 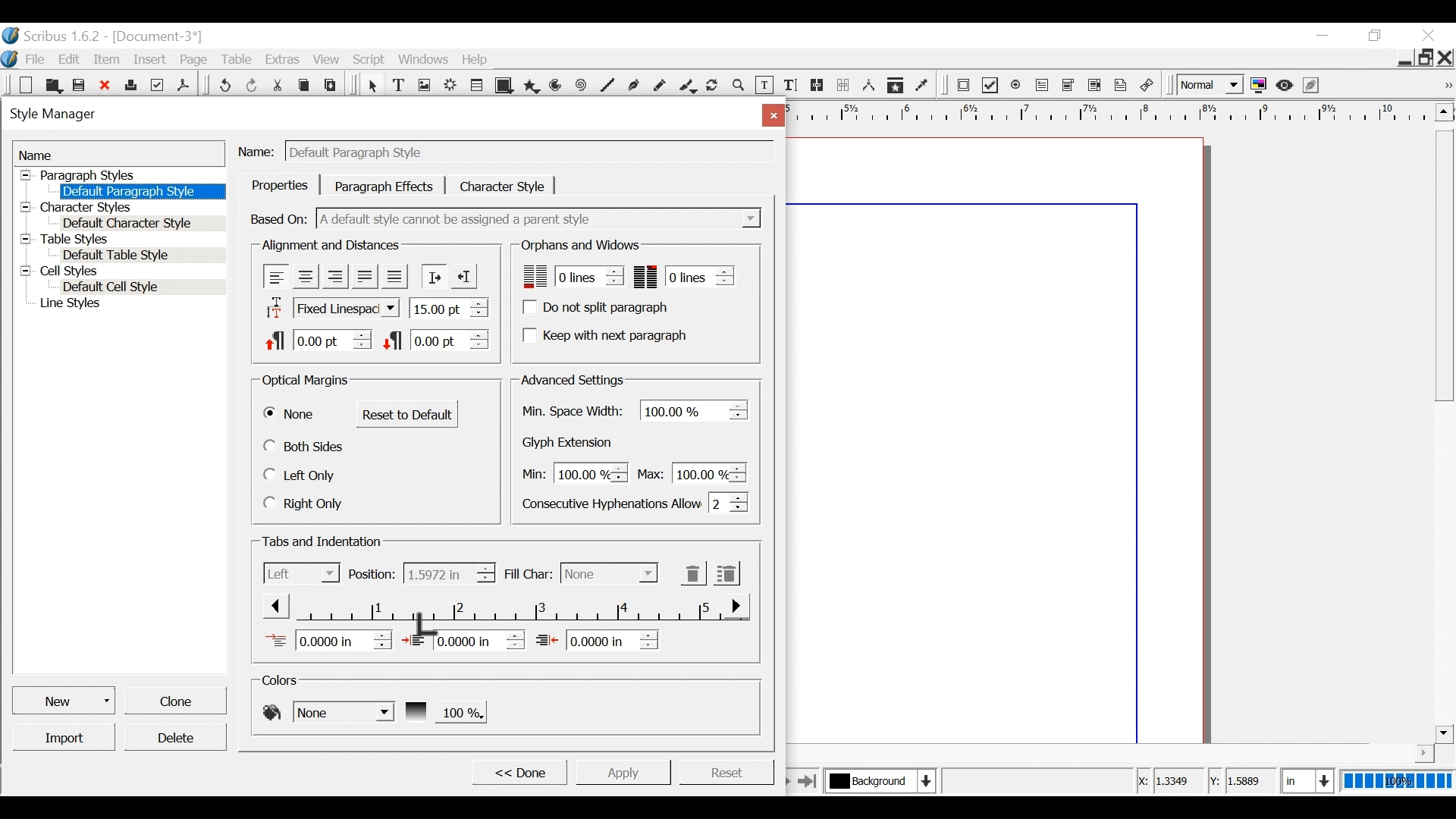 I want to click on Scroll up, so click(x=1442, y=111).